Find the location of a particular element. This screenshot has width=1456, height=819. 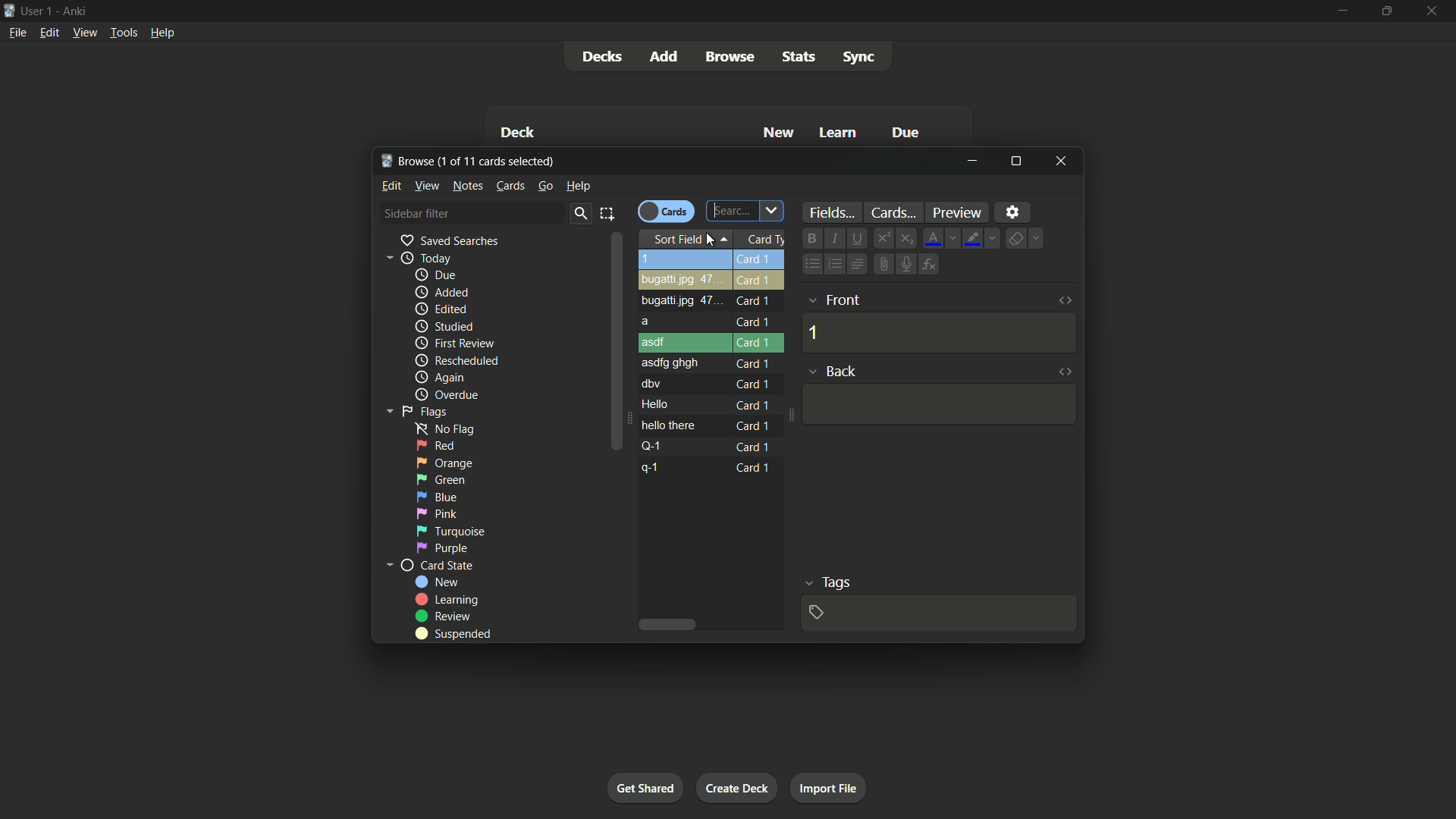

toggle html editor is located at coordinates (1065, 300).